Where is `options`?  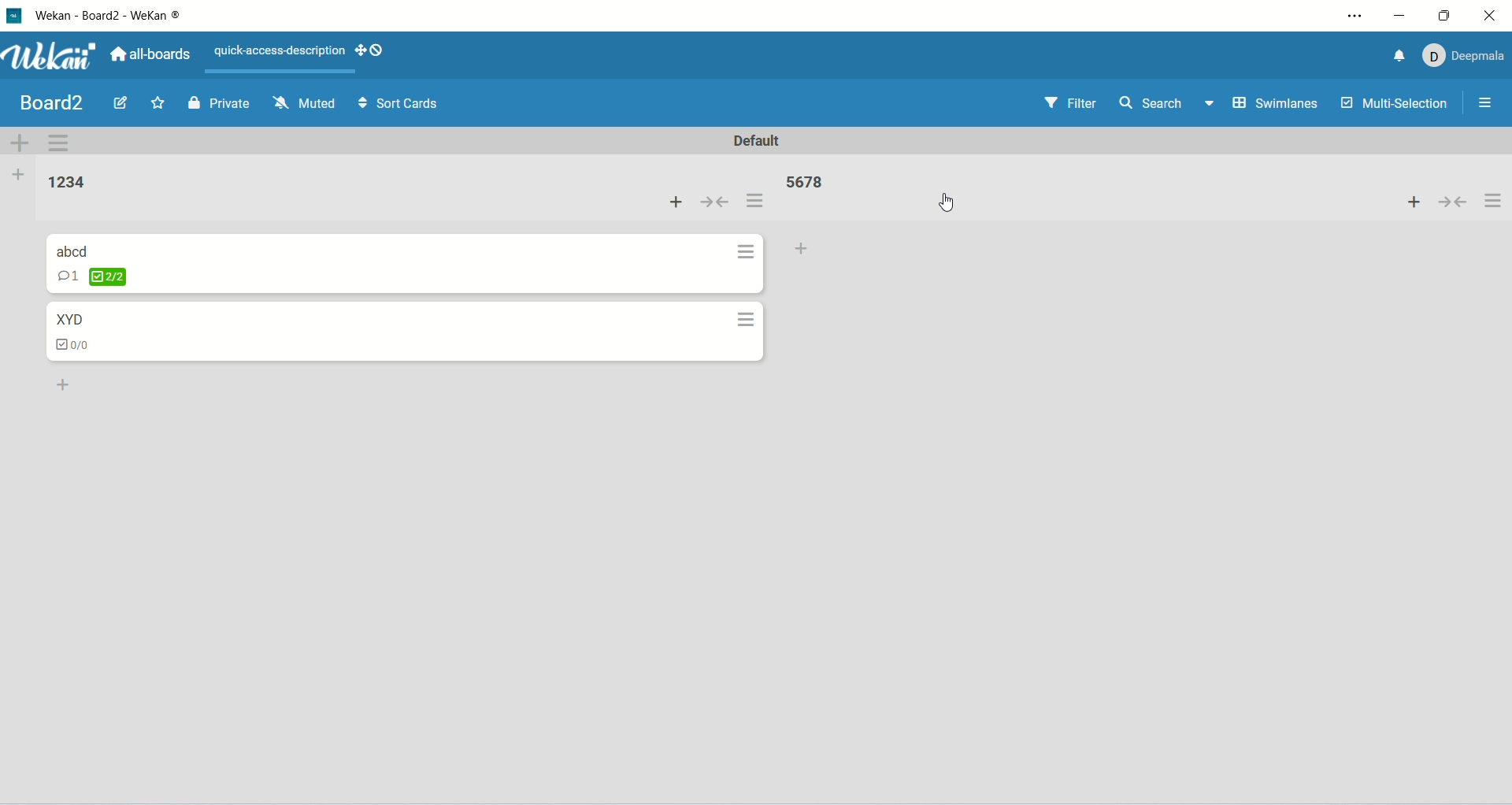 options is located at coordinates (1490, 101).